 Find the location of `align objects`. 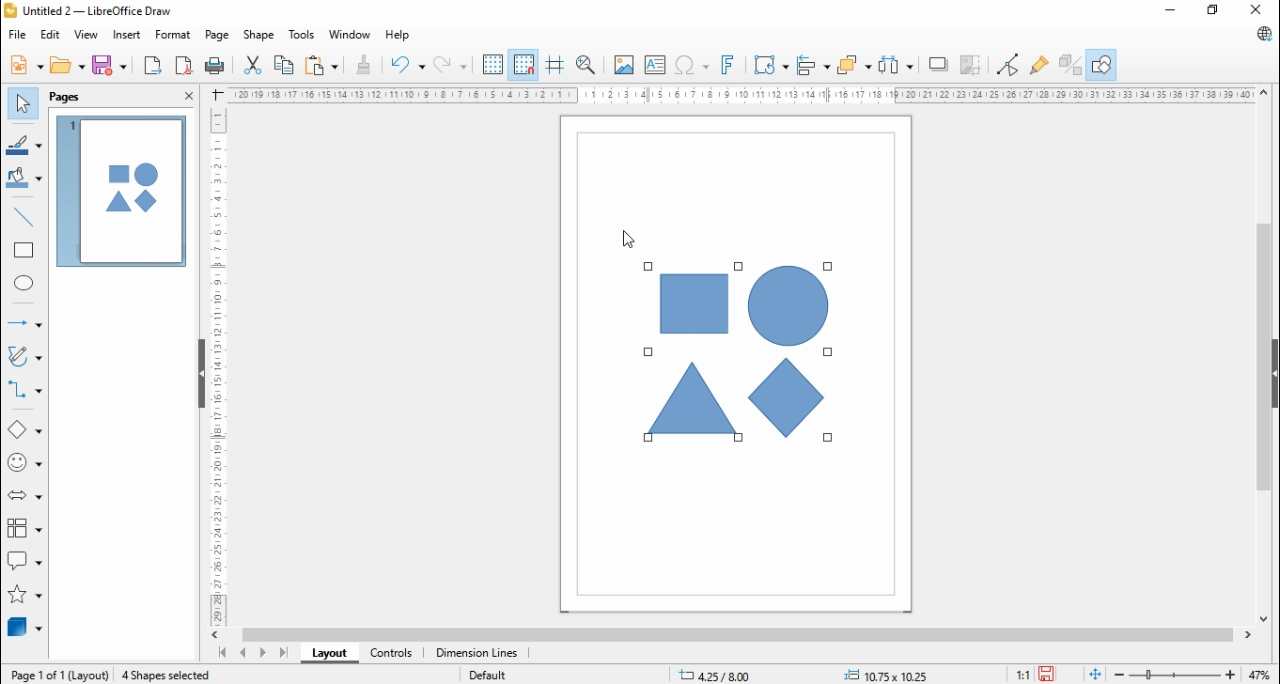

align objects is located at coordinates (811, 64).